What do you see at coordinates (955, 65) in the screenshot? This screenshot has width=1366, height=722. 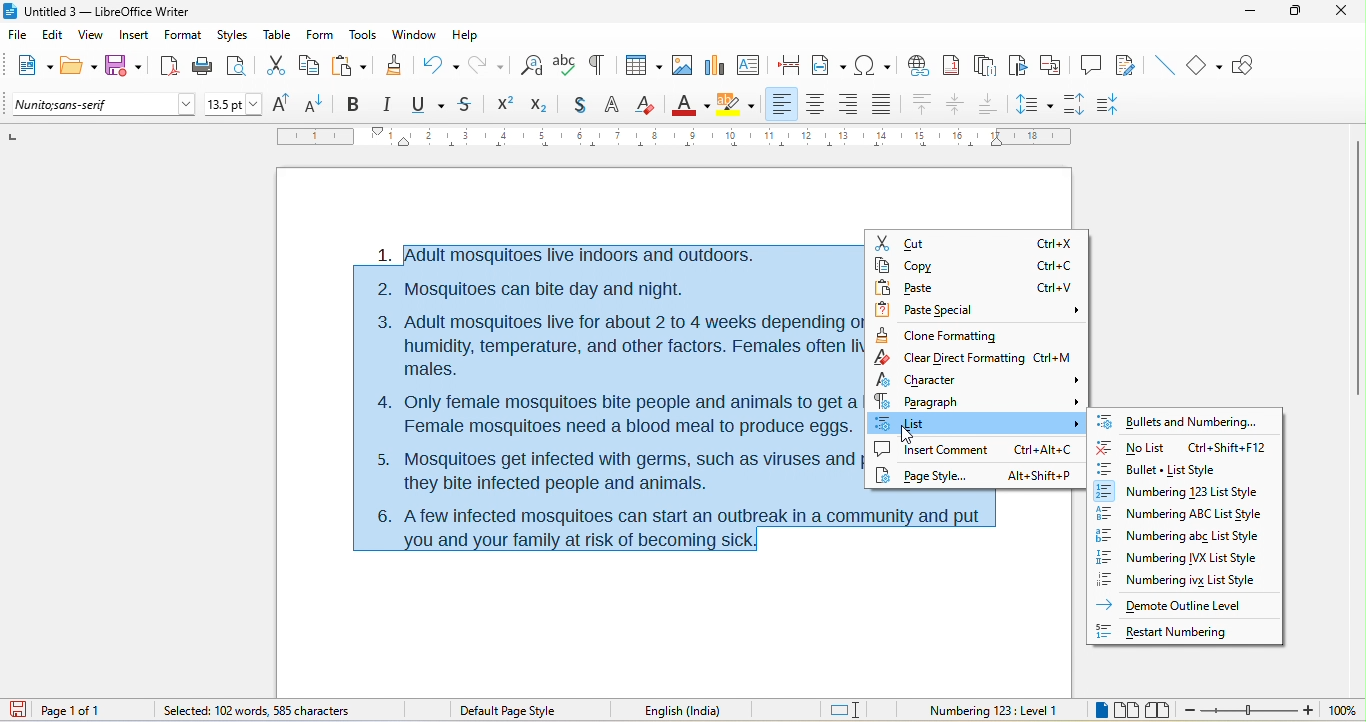 I see `footnote` at bounding box center [955, 65].